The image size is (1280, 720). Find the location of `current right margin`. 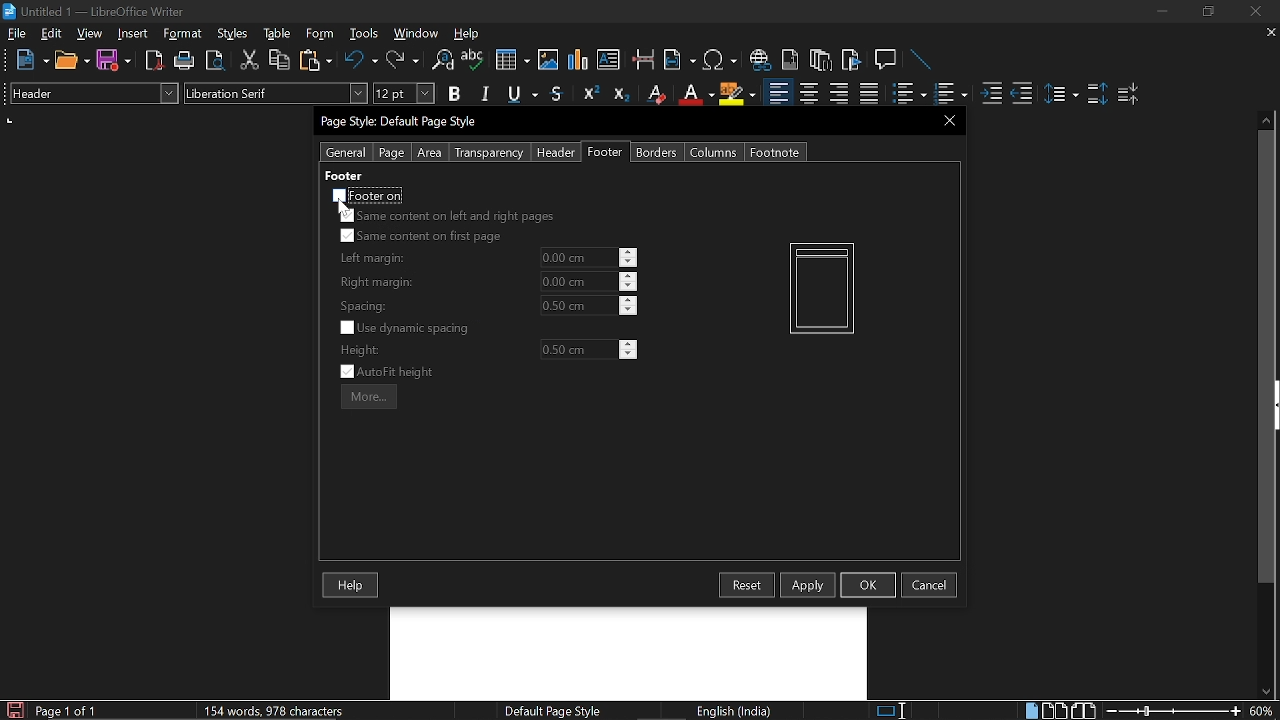

current right margin is located at coordinates (577, 281).